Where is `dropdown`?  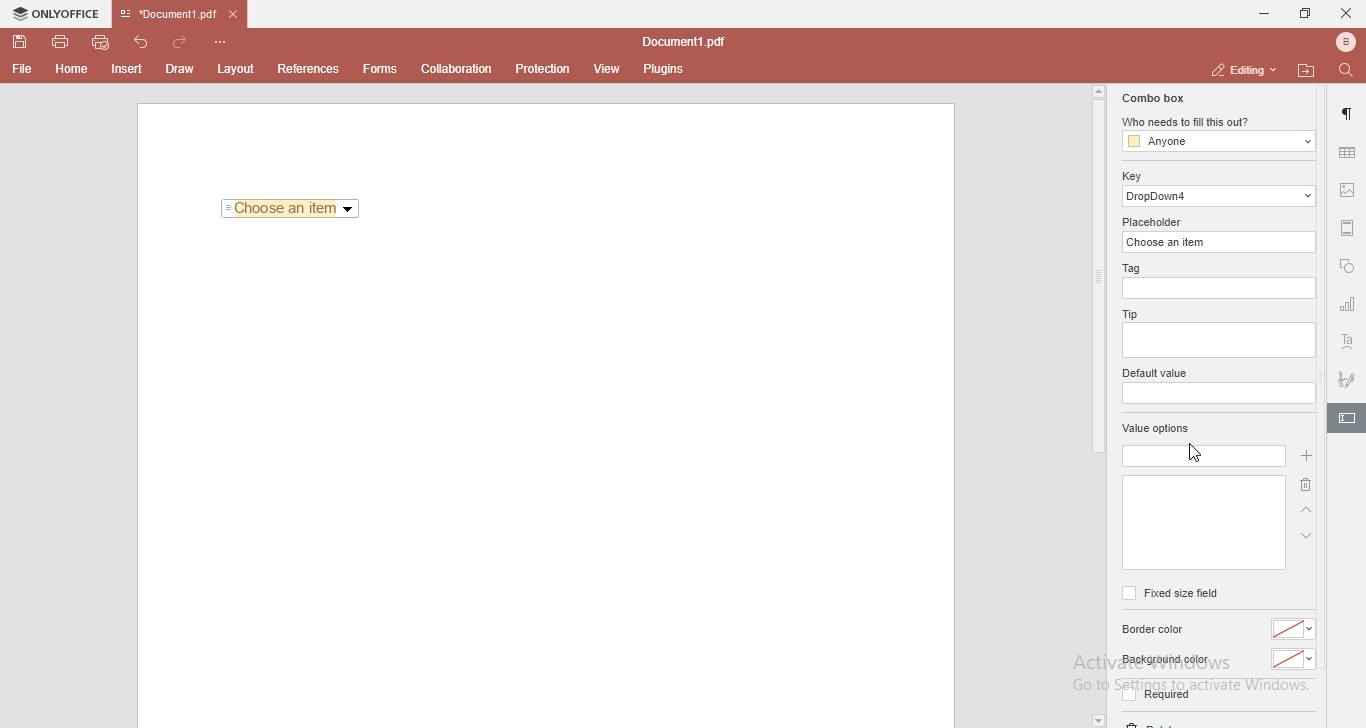 dropdown is located at coordinates (1097, 720).